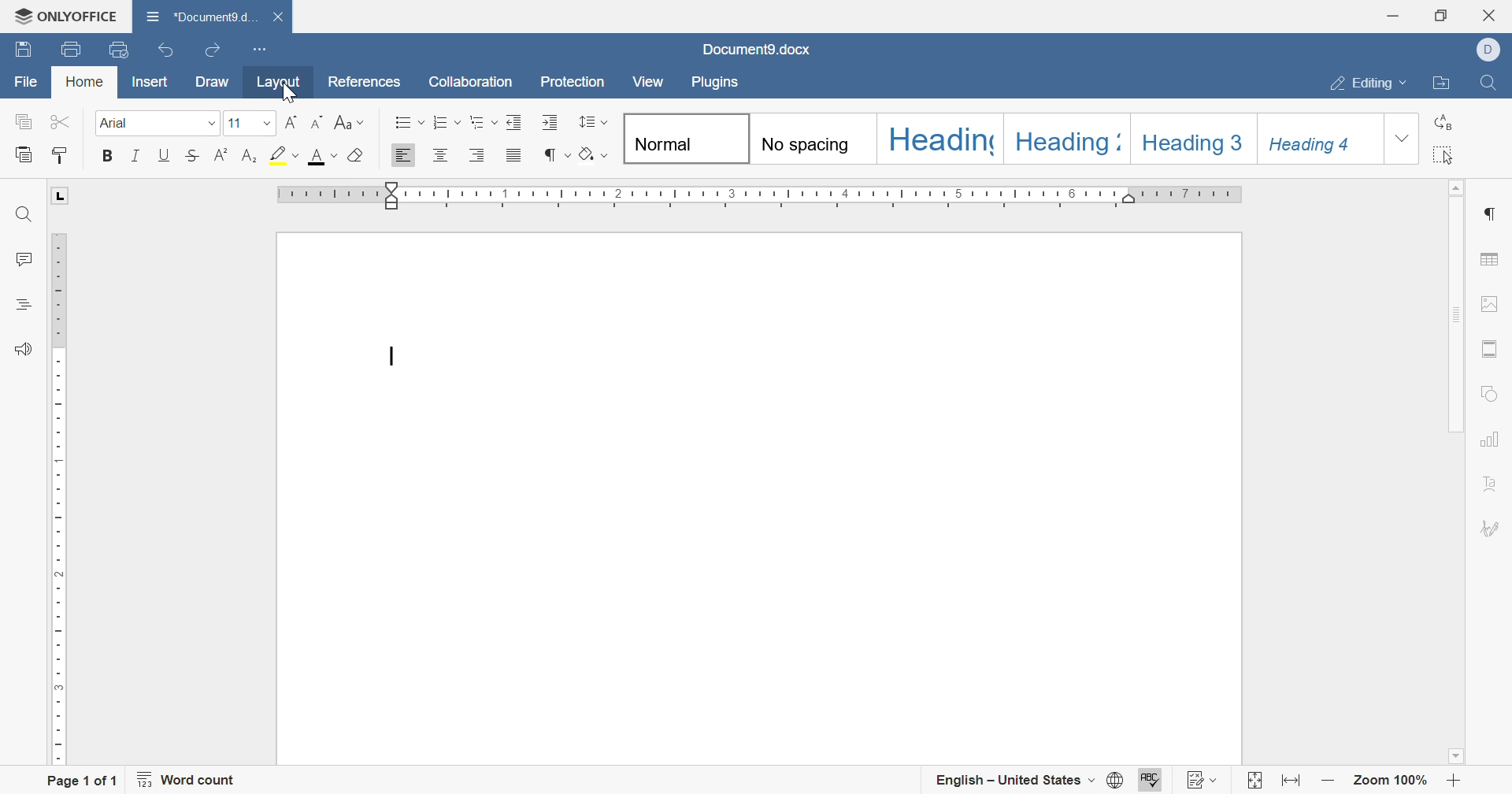  I want to click on increase indent, so click(550, 123).